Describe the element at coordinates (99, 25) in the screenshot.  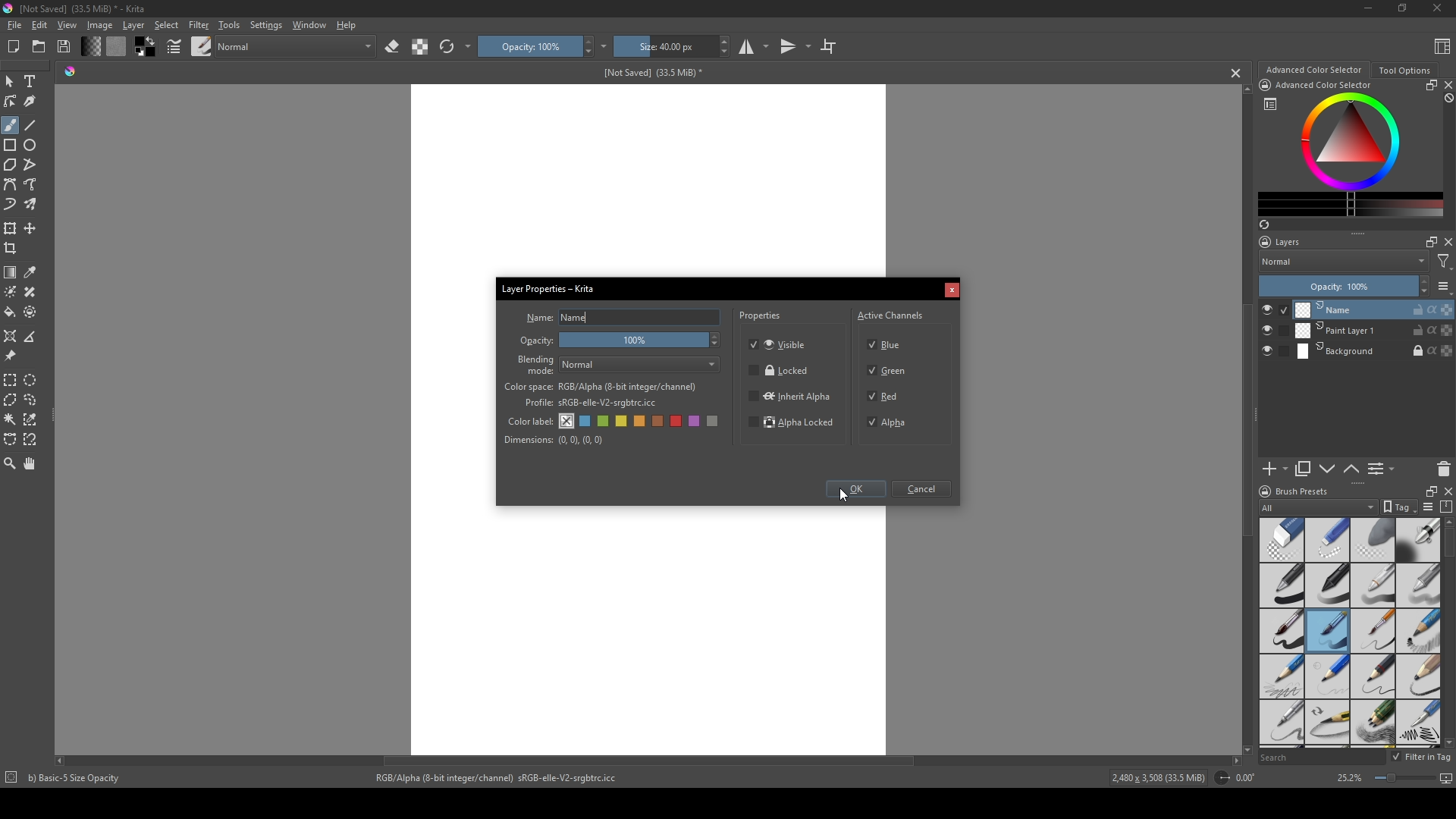
I see `Image` at that location.